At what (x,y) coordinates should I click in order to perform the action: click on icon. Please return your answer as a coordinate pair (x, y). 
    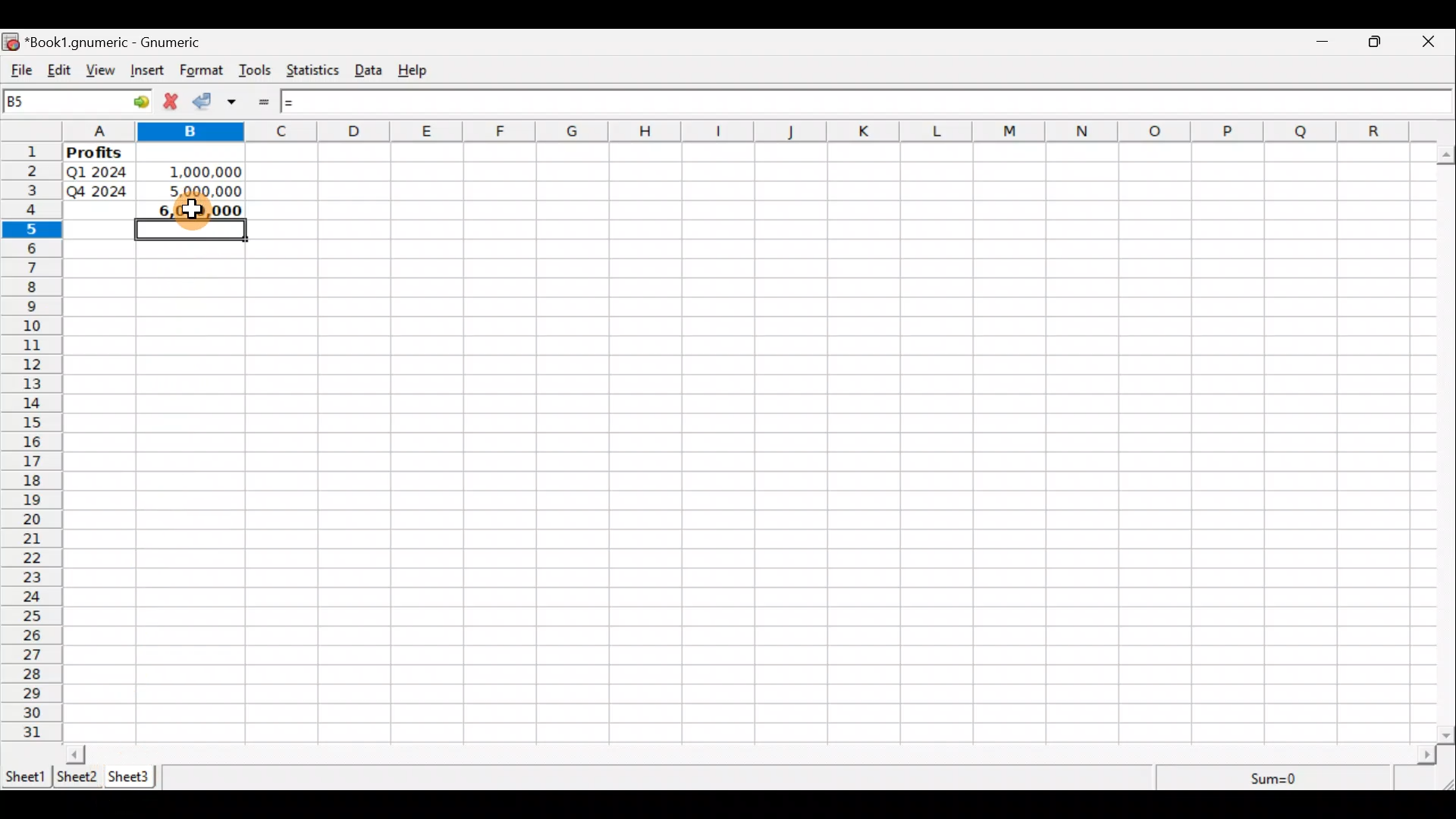
    Looking at the image, I should click on (12, 42).